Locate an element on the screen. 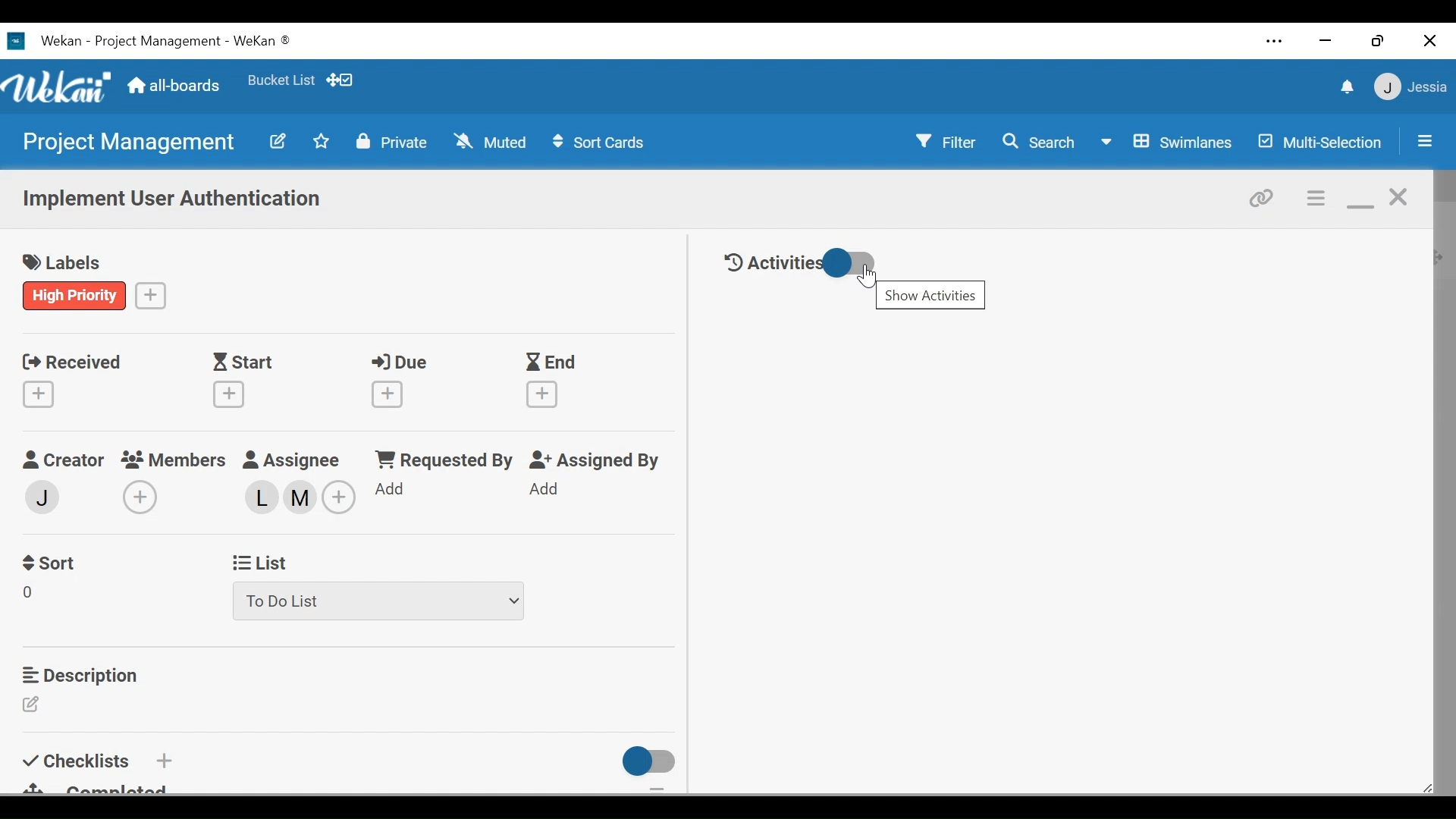  Board Title is located at coordinates (165, 42).